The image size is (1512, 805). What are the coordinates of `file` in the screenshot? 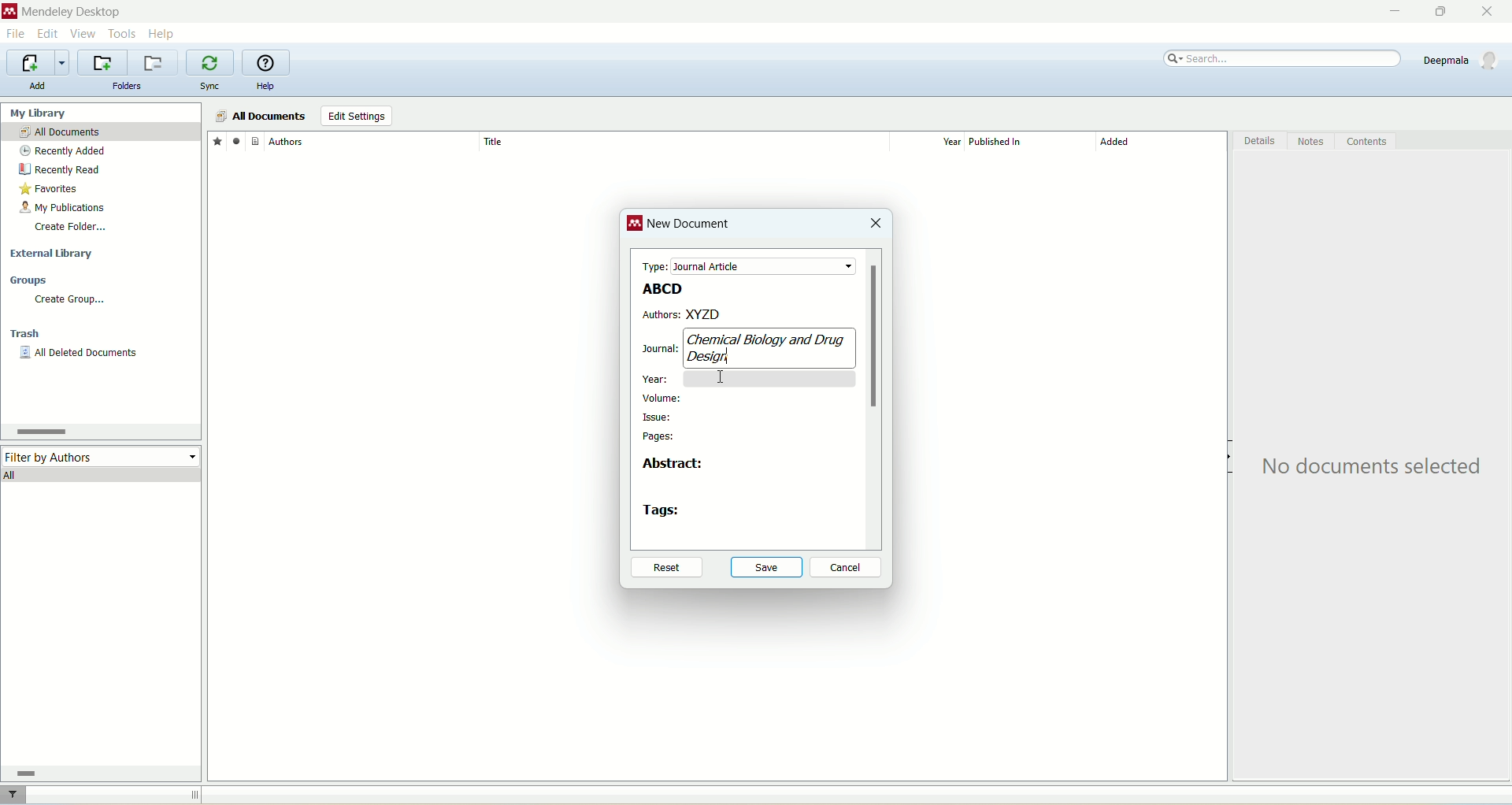 It's located at (15, 35).